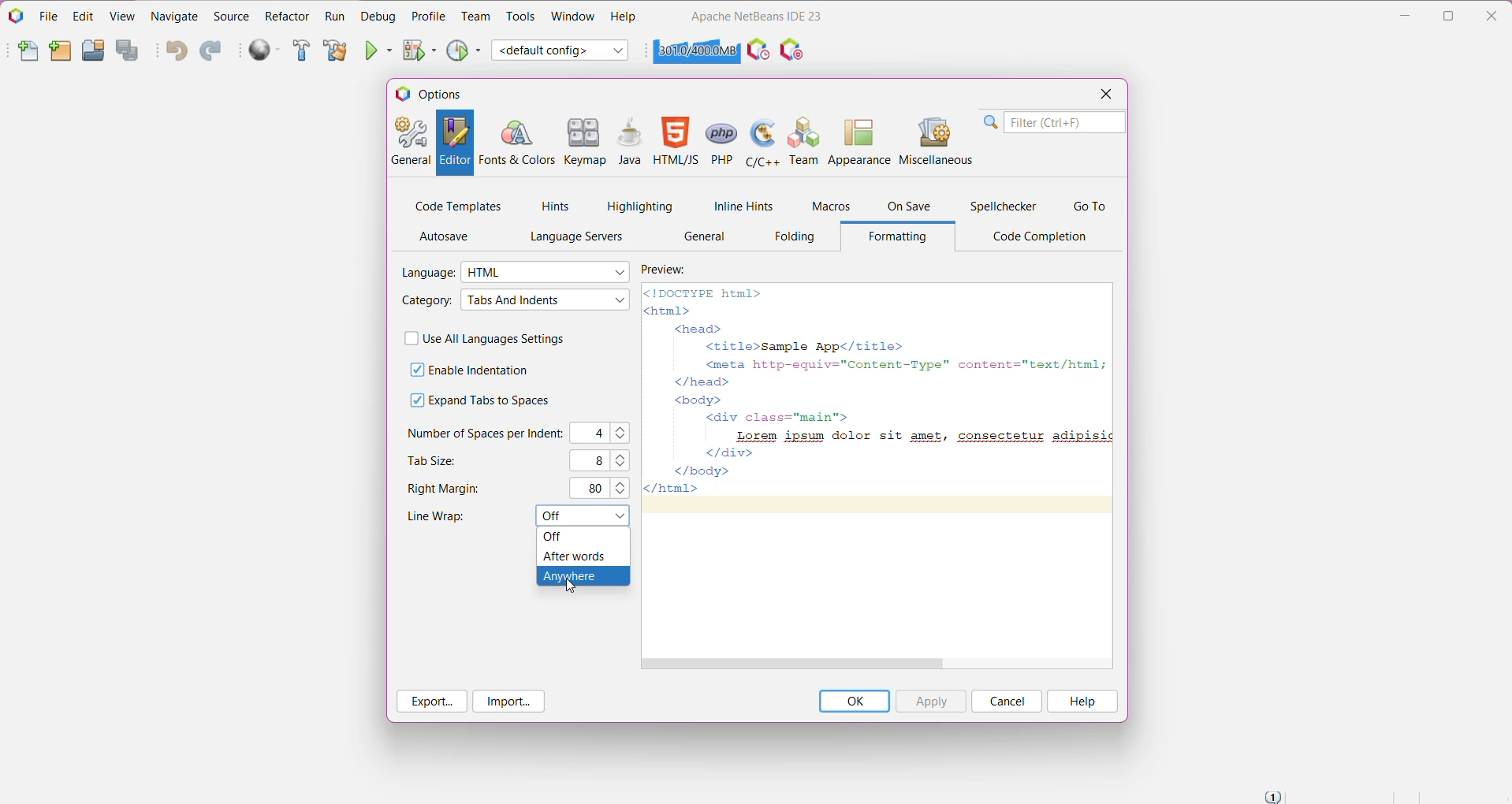  I want to click on Select required Category, so click(545, 300).